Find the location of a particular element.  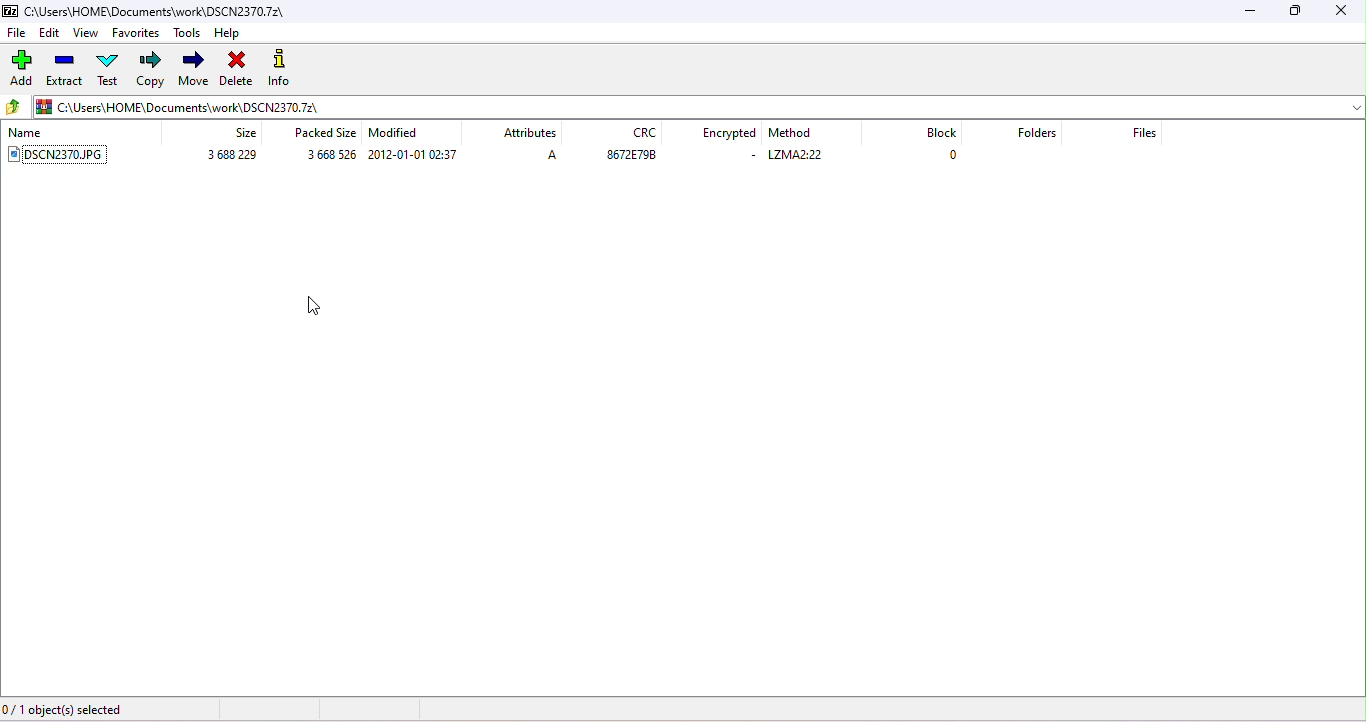

favorites is located at coordinates (137, 33).